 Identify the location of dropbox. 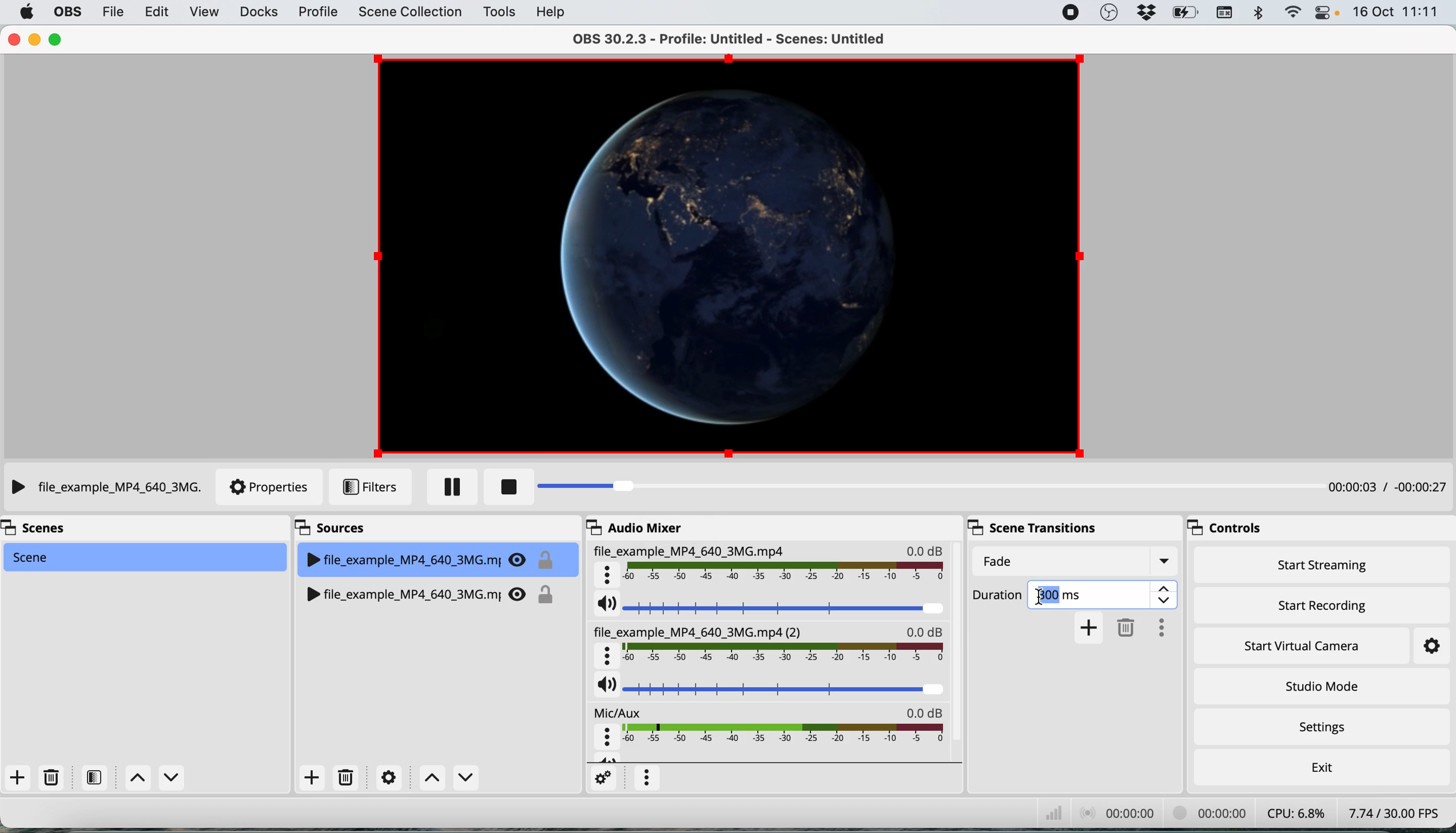
(1148, 13).